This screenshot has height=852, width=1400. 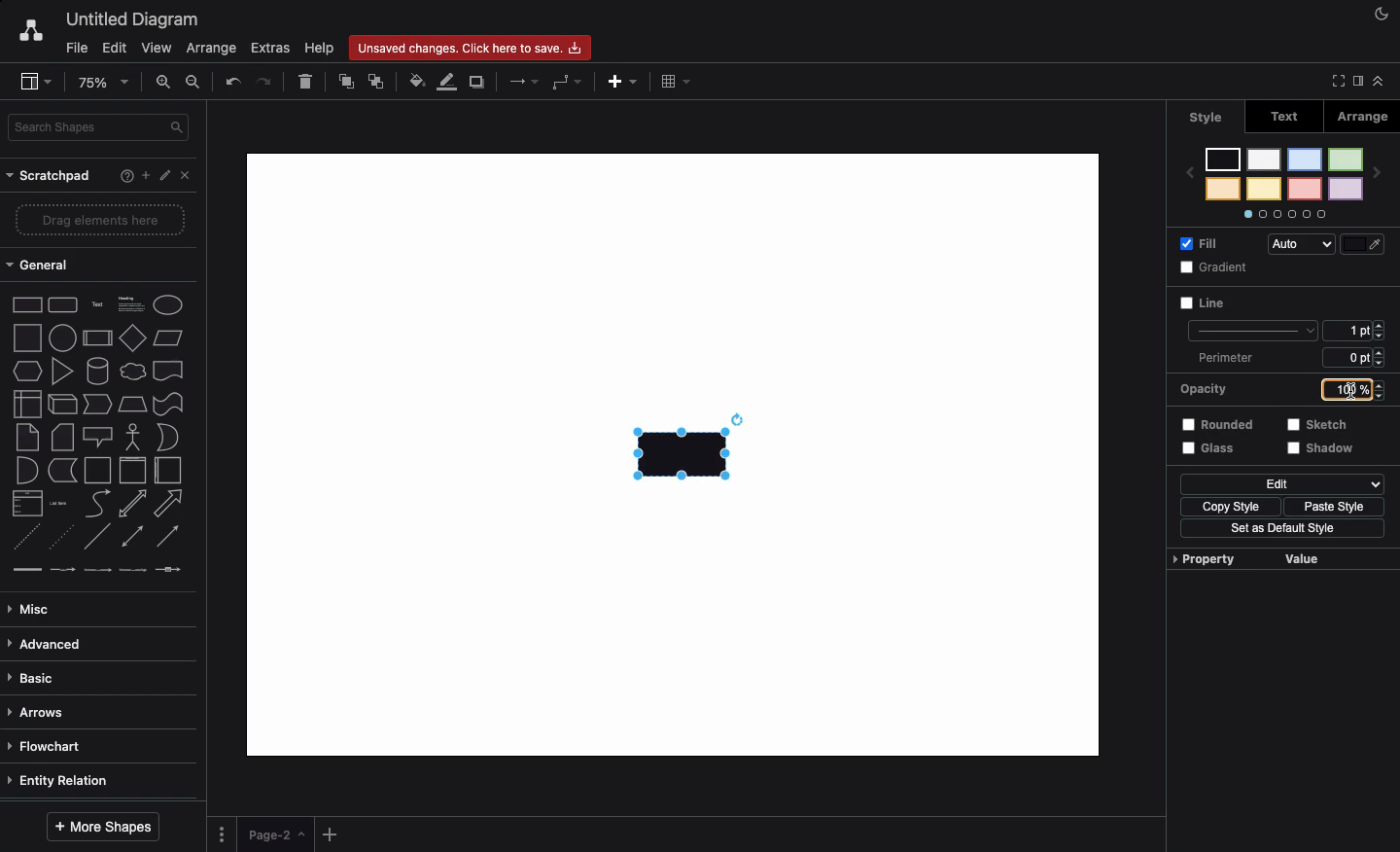 I want to click on Zoom out, so click(x=193, y=82).